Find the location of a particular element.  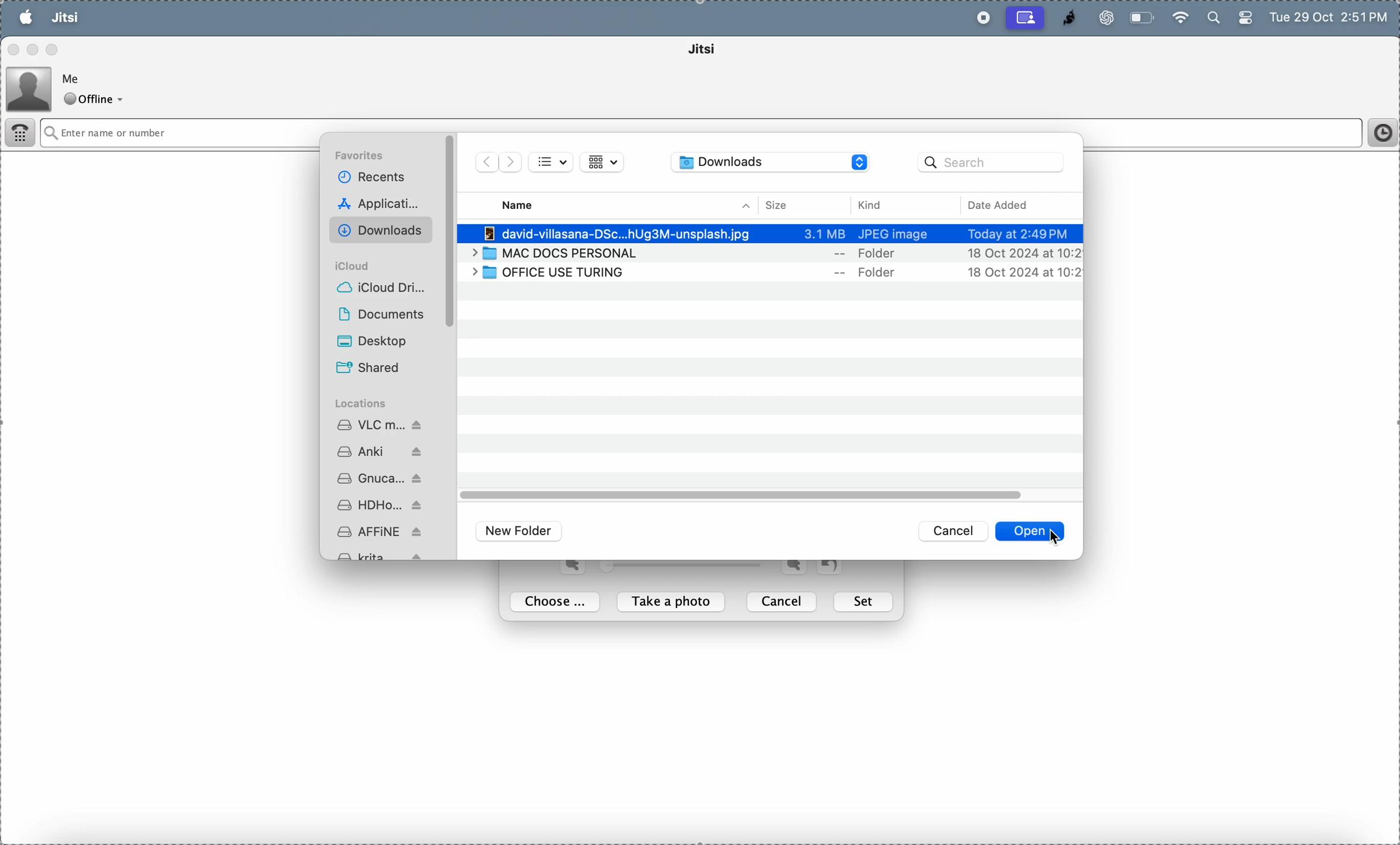

forward is located at coordinates (510, 162).